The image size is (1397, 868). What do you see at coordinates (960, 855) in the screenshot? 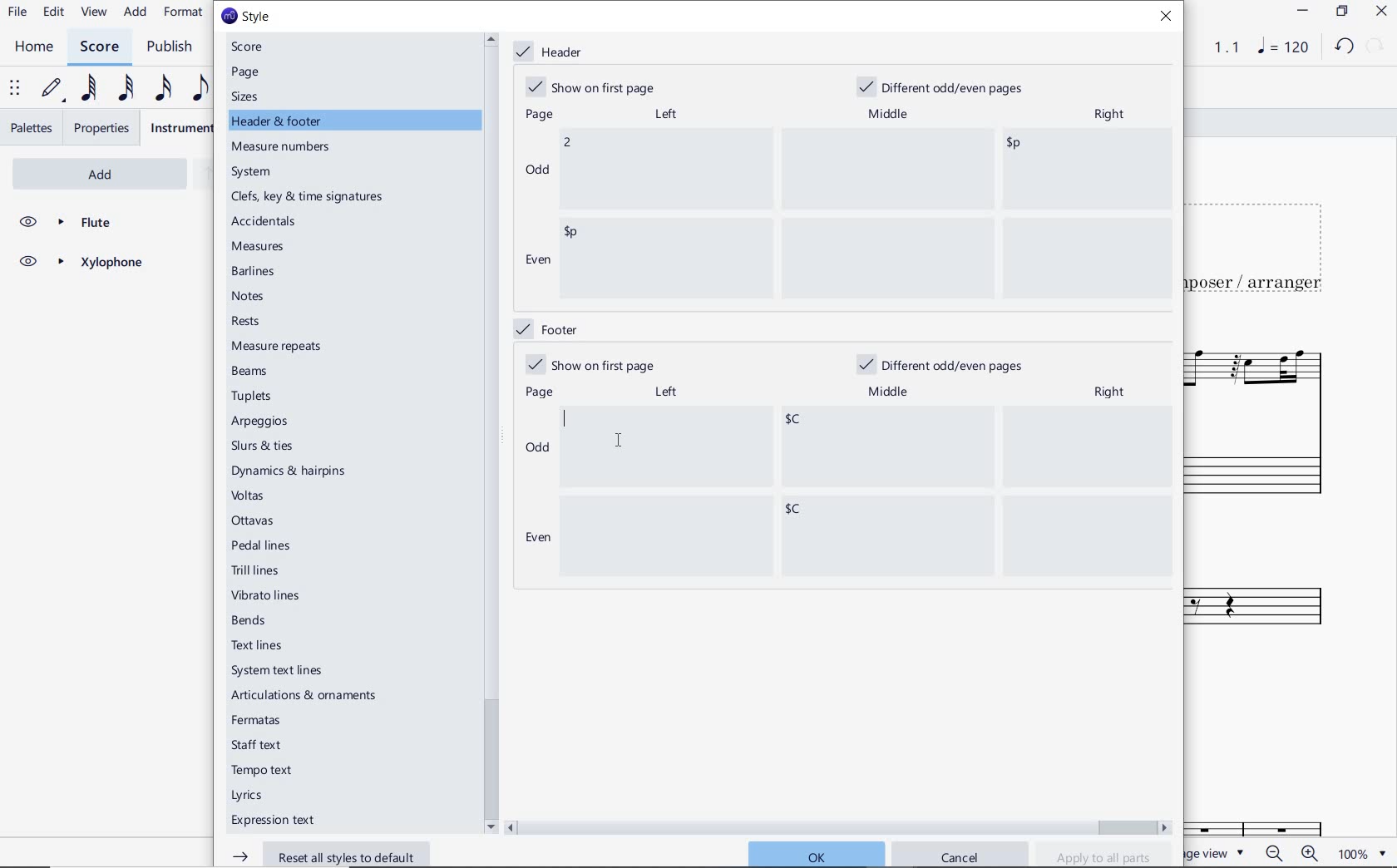
I see `cancel` at bounding box center [960, 855].